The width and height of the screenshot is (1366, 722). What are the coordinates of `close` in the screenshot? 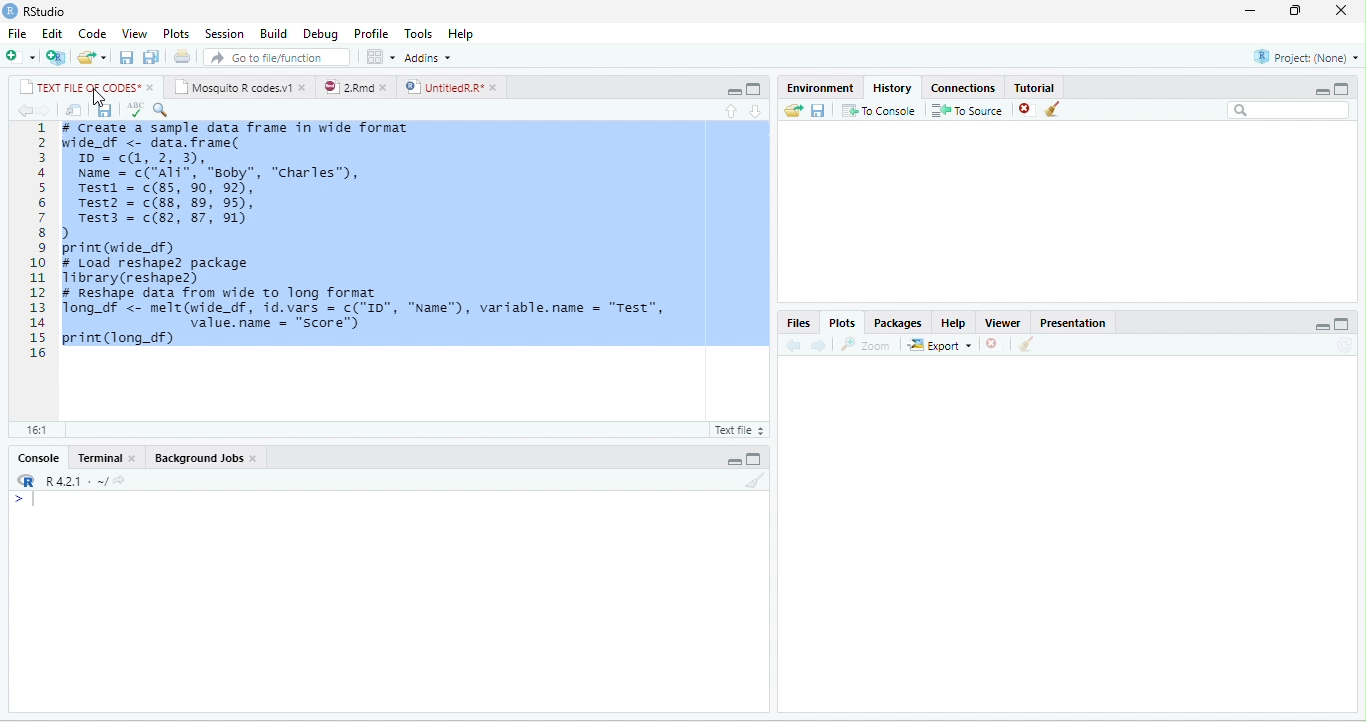 It's located at (1342, 10).